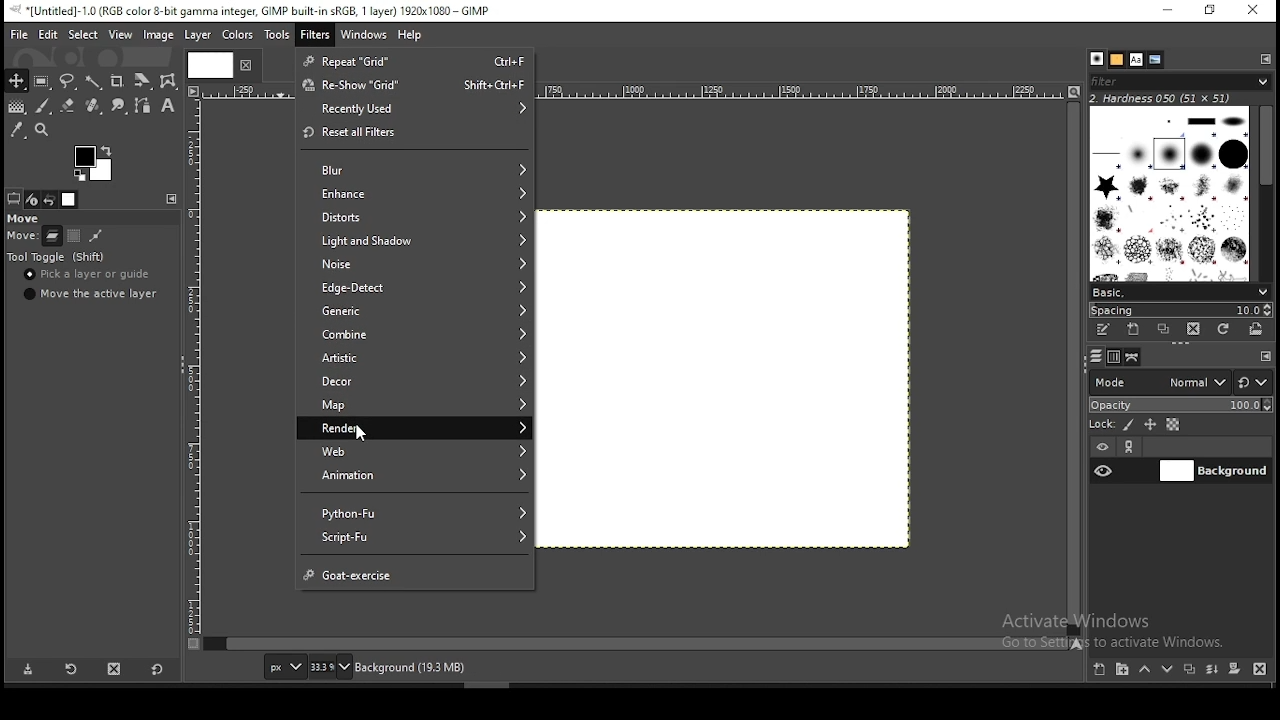 Image resolution: width=1280 pixels, height=720 pixels. I want to click on units, so click(284, 666).